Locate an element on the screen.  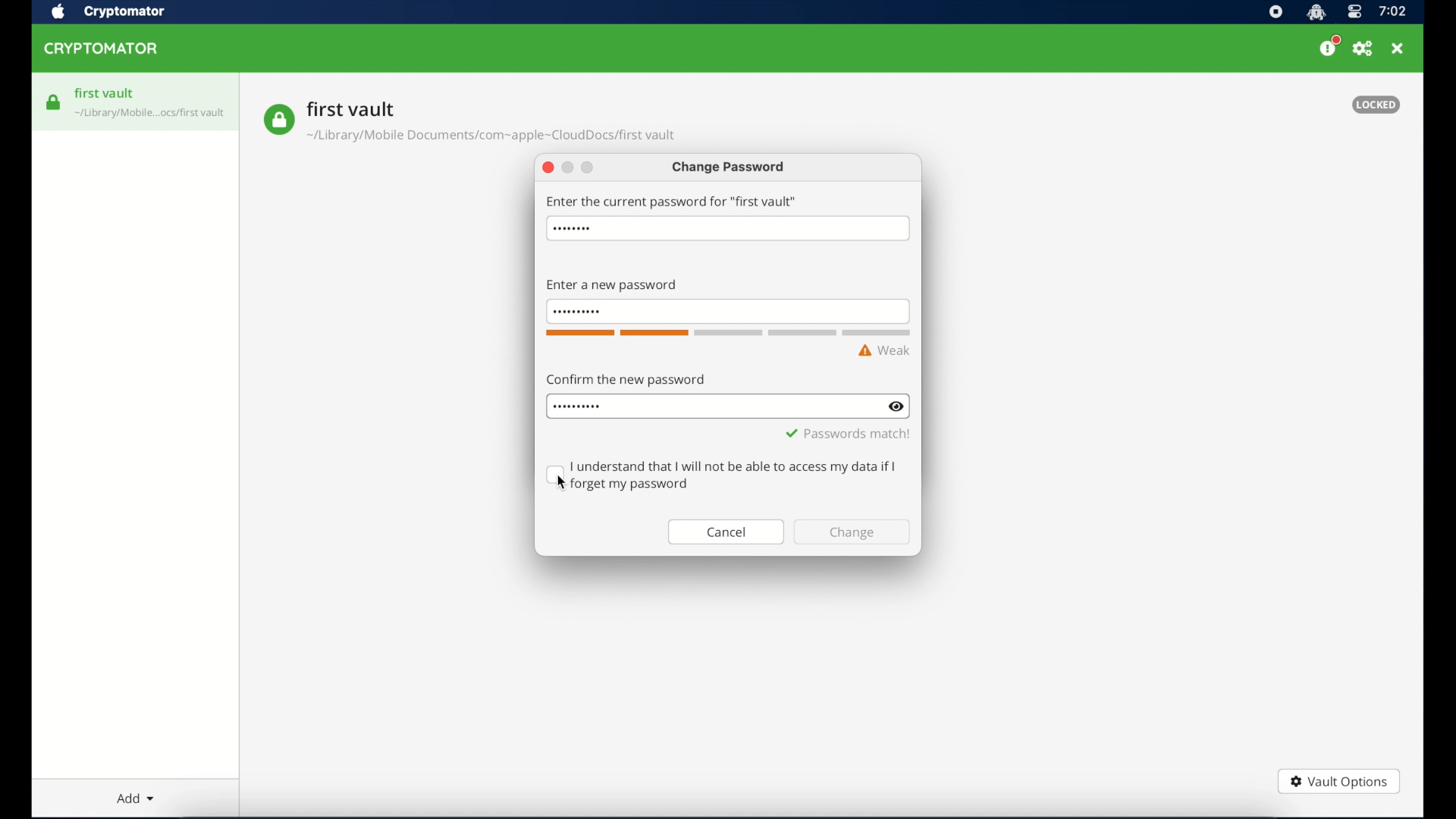
show/hide text is located at coordinates (896, 406).